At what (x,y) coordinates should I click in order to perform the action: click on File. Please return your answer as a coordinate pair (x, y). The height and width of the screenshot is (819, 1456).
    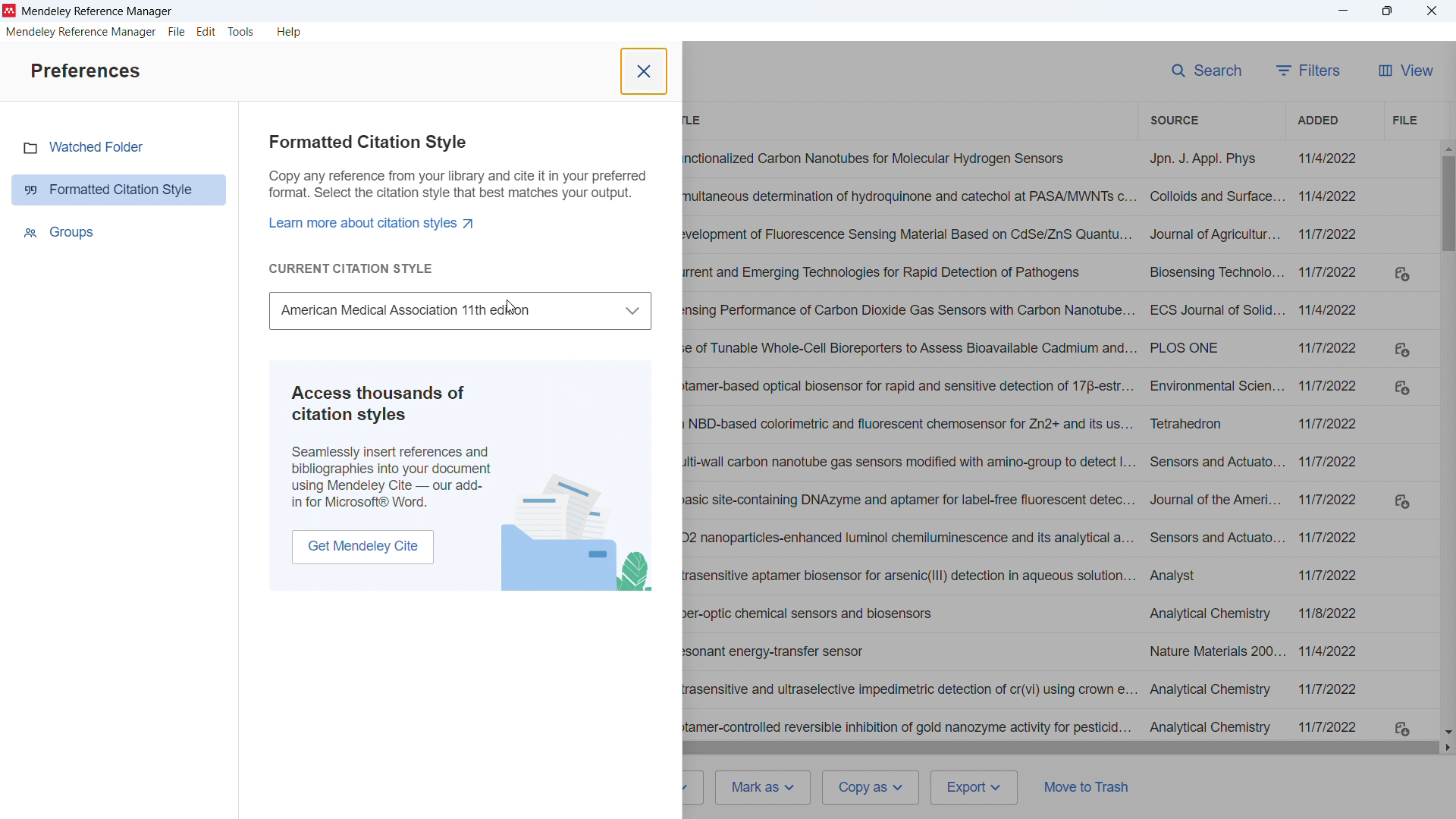
    Looking at the image, I should click on (1404, 121).